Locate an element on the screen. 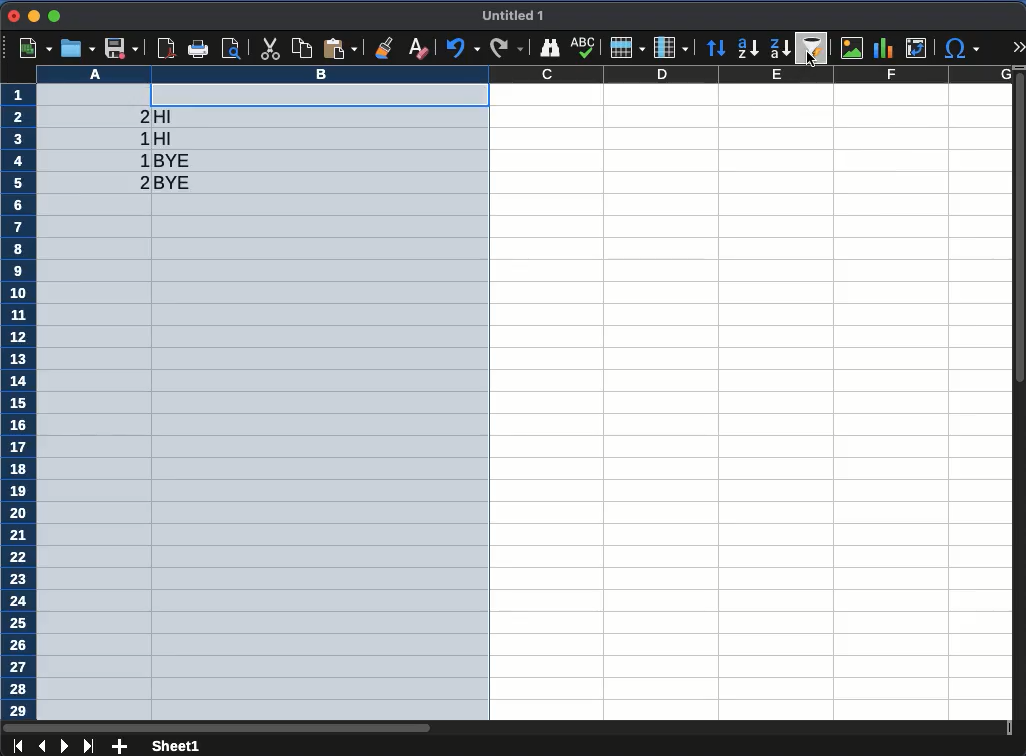  scroll is located at coordinates (505, 725).